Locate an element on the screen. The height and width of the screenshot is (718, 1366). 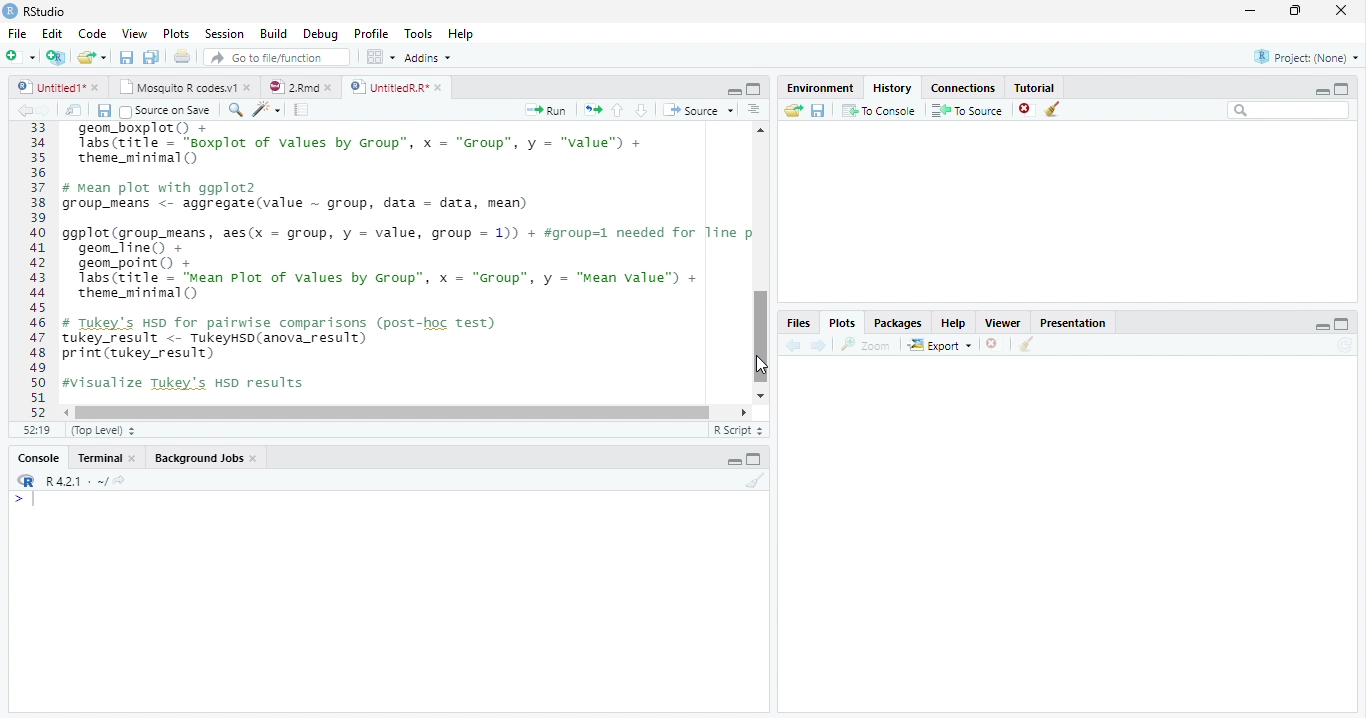
To source is located at coordinates (970, 112).